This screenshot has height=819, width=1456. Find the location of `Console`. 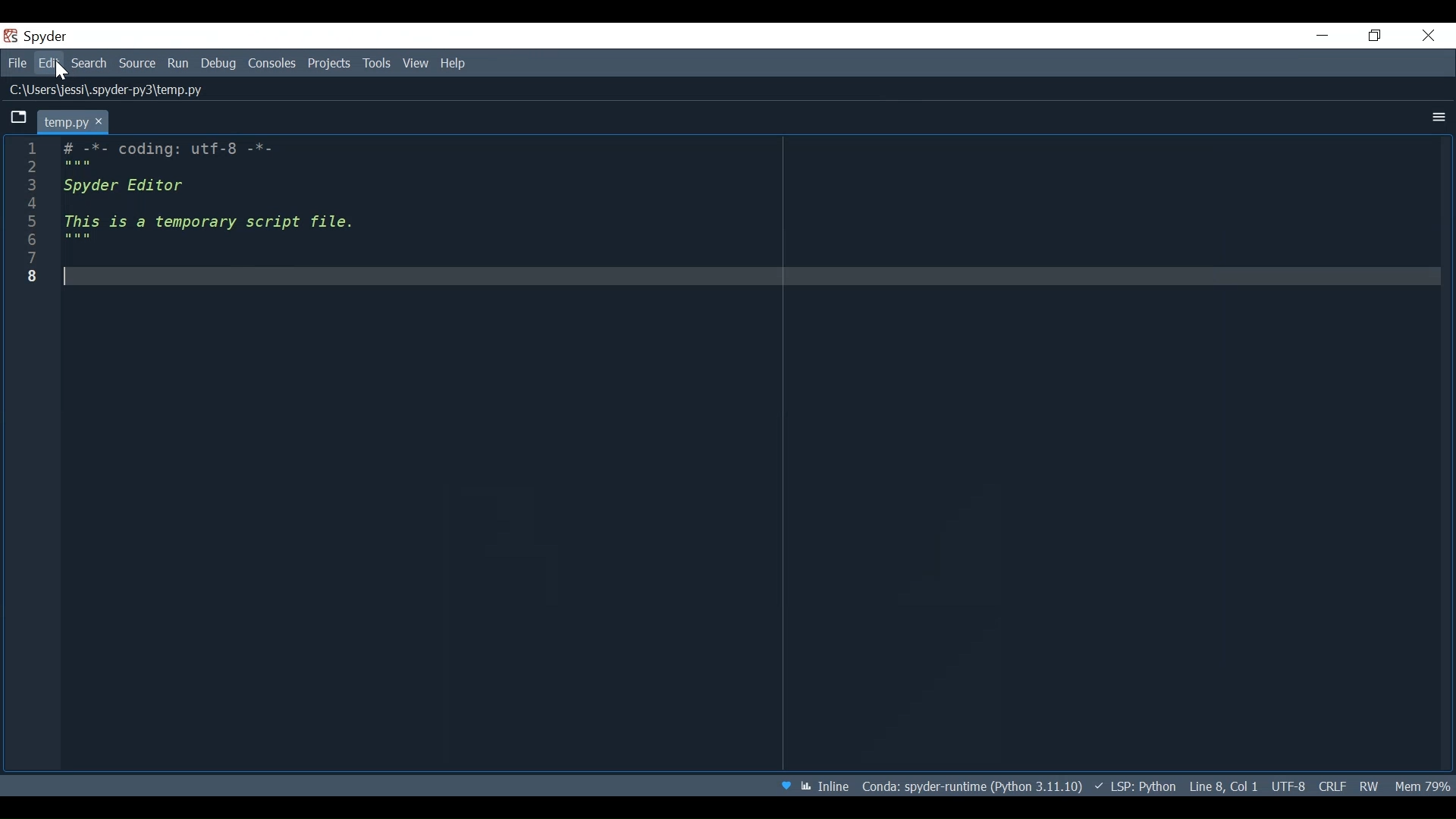

Console is located at coordinates (271, 65).